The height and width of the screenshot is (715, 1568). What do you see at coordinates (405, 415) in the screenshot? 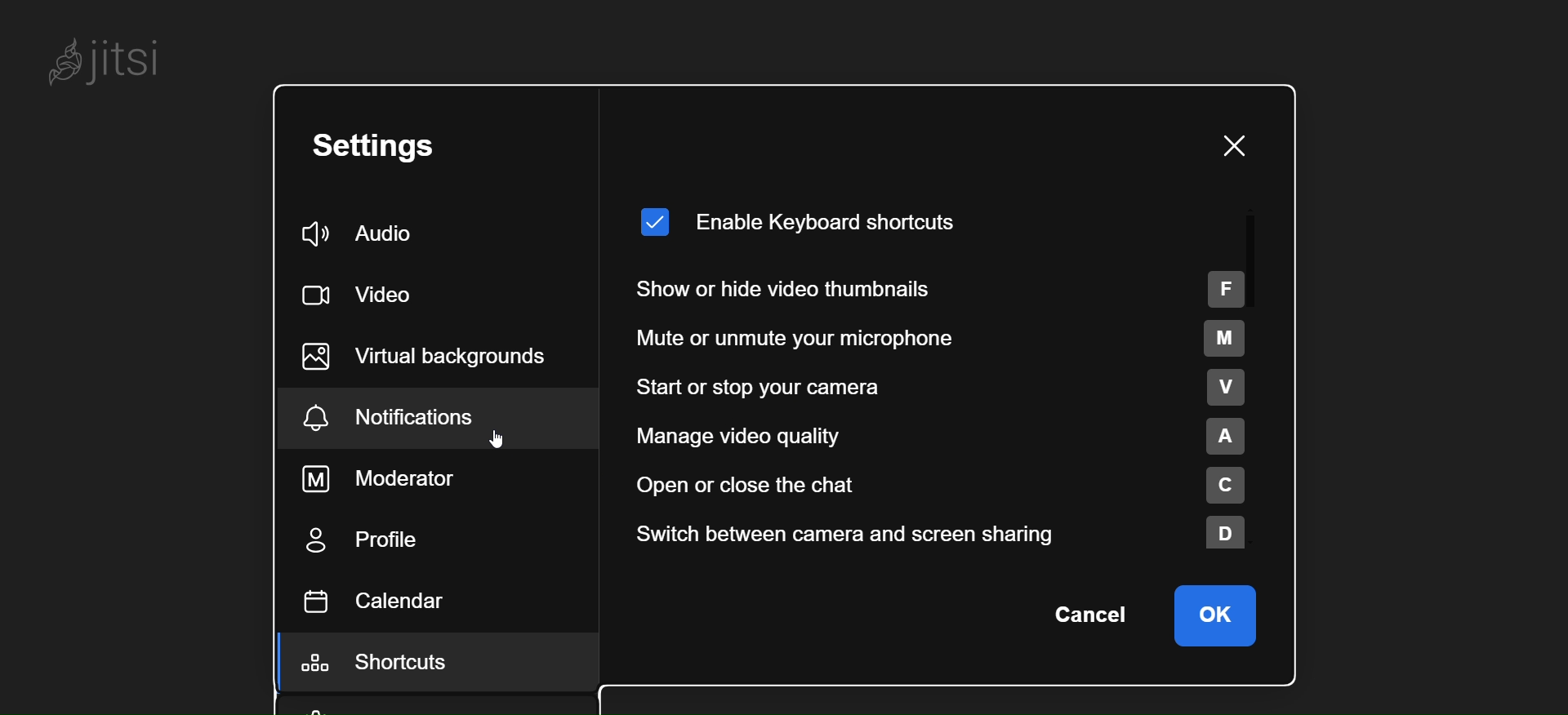
I see `notification` at bounding box center [405, 415].